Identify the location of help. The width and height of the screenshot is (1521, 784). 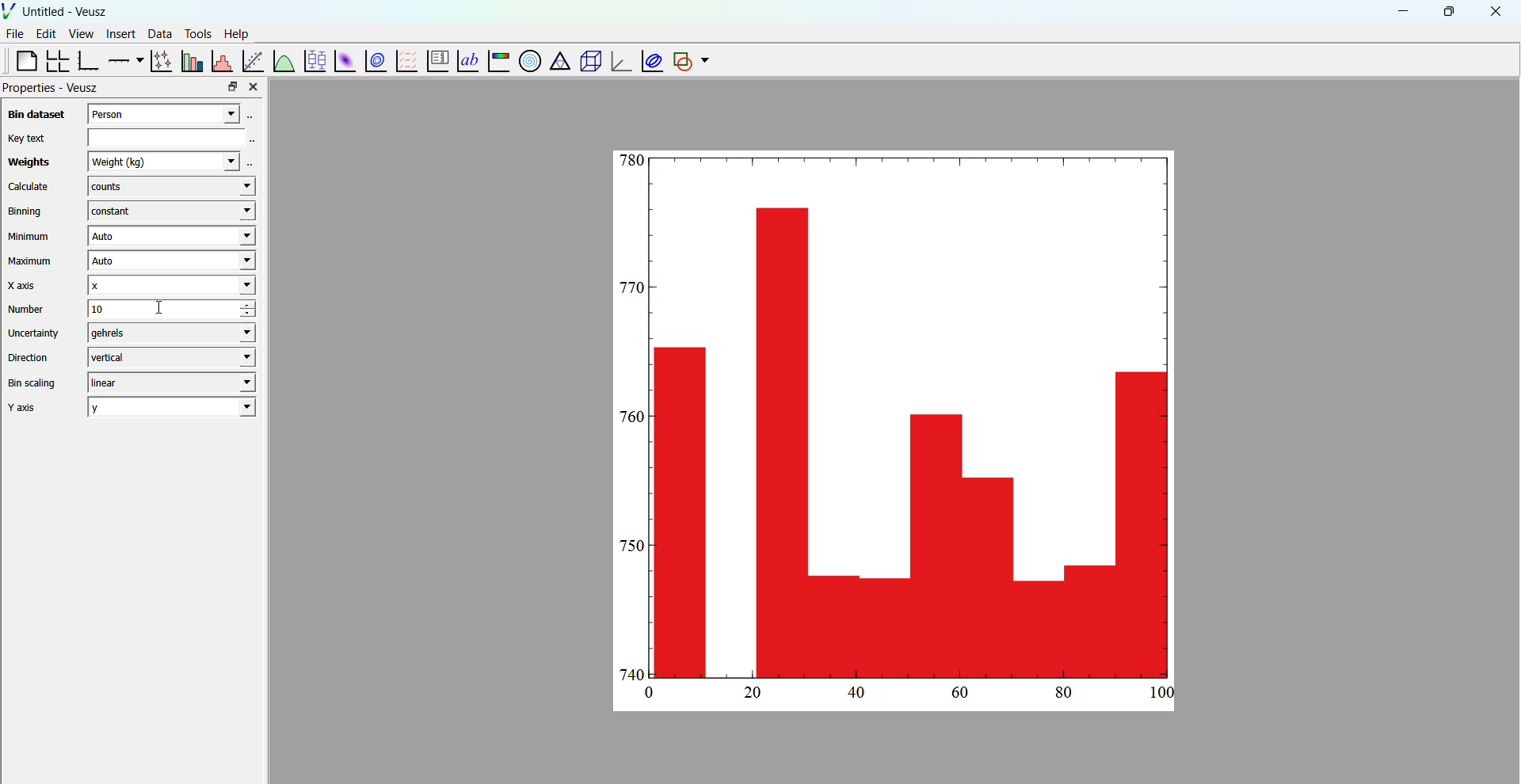
(237, 32).